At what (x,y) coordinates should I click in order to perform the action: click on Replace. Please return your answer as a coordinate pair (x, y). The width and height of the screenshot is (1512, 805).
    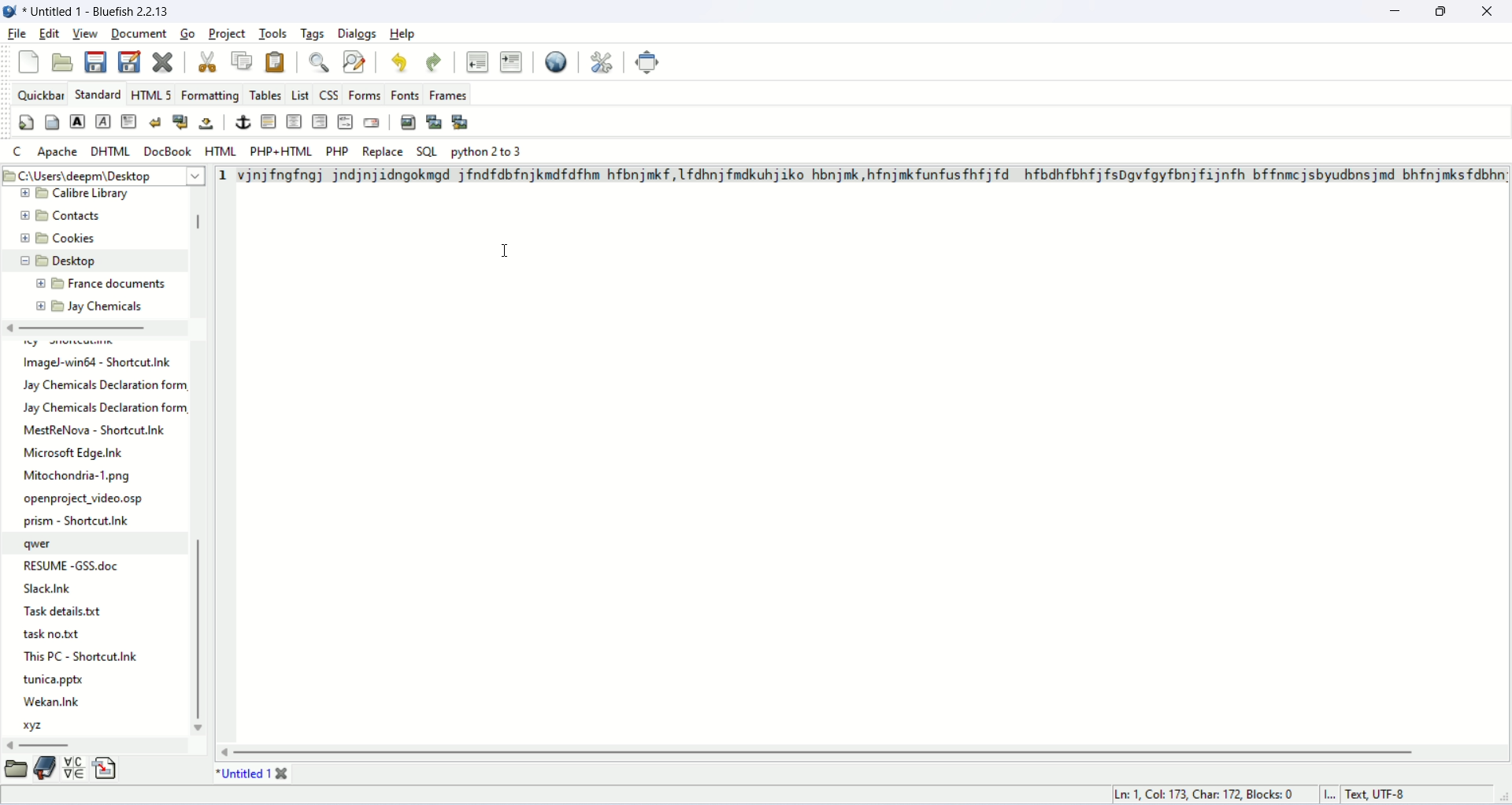
    Looking at the image, I should click on (382, 151).